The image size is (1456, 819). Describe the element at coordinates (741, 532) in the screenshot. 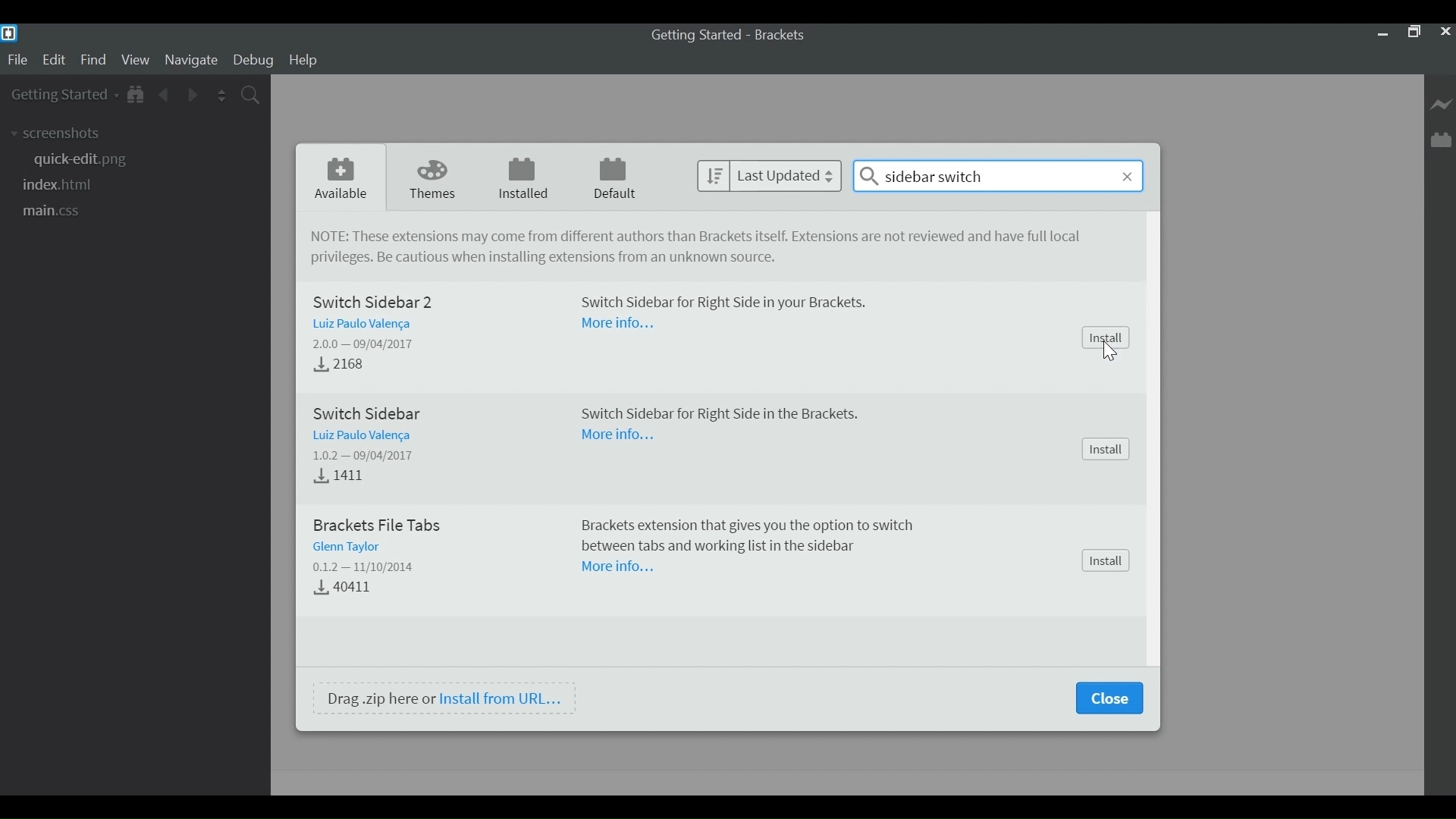

I see `Brackets extension that gives the option to switch between tabs` at that location.